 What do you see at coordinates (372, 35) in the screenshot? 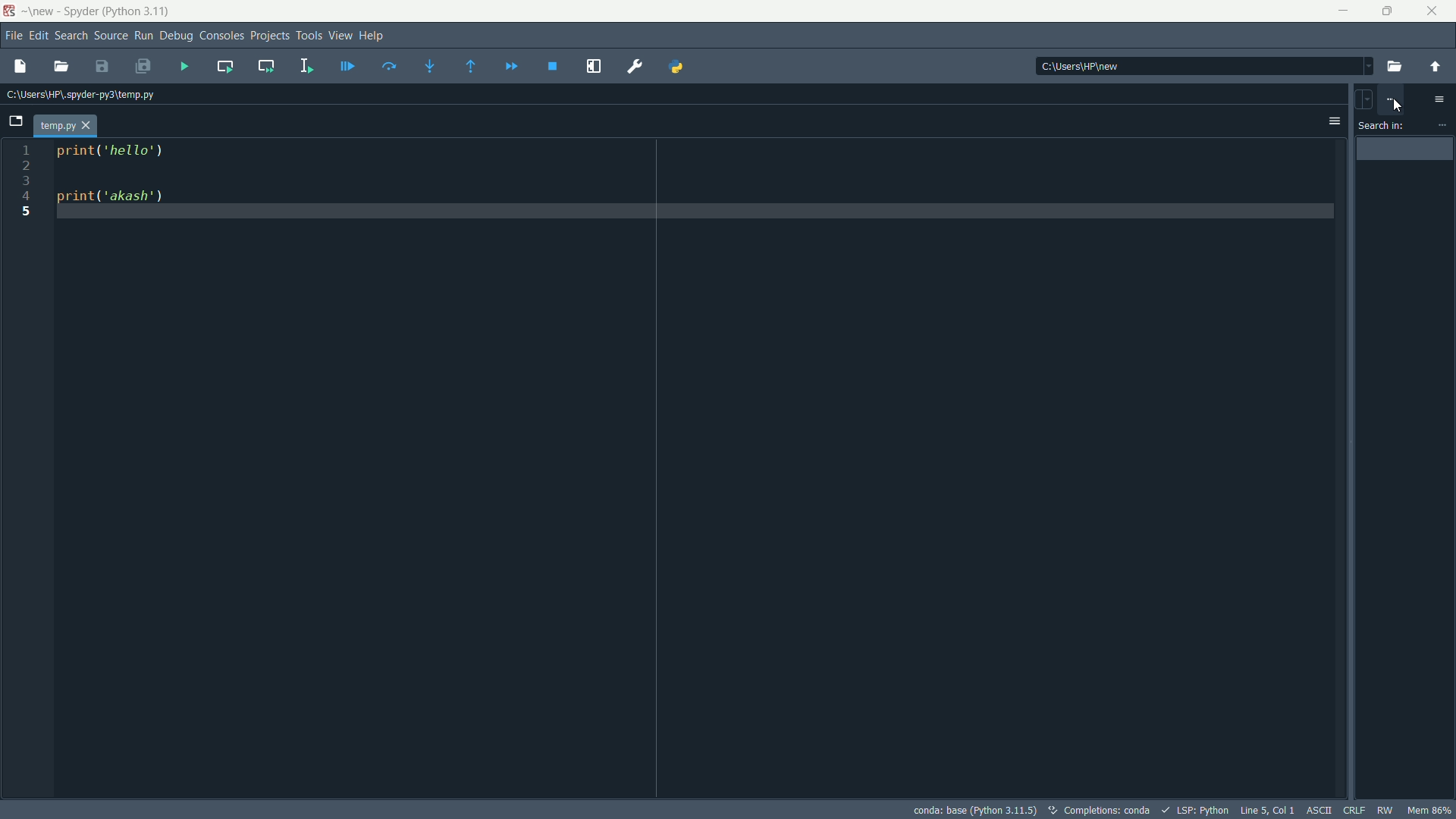
I see `Help Menu` at bounding box center [372, 35].